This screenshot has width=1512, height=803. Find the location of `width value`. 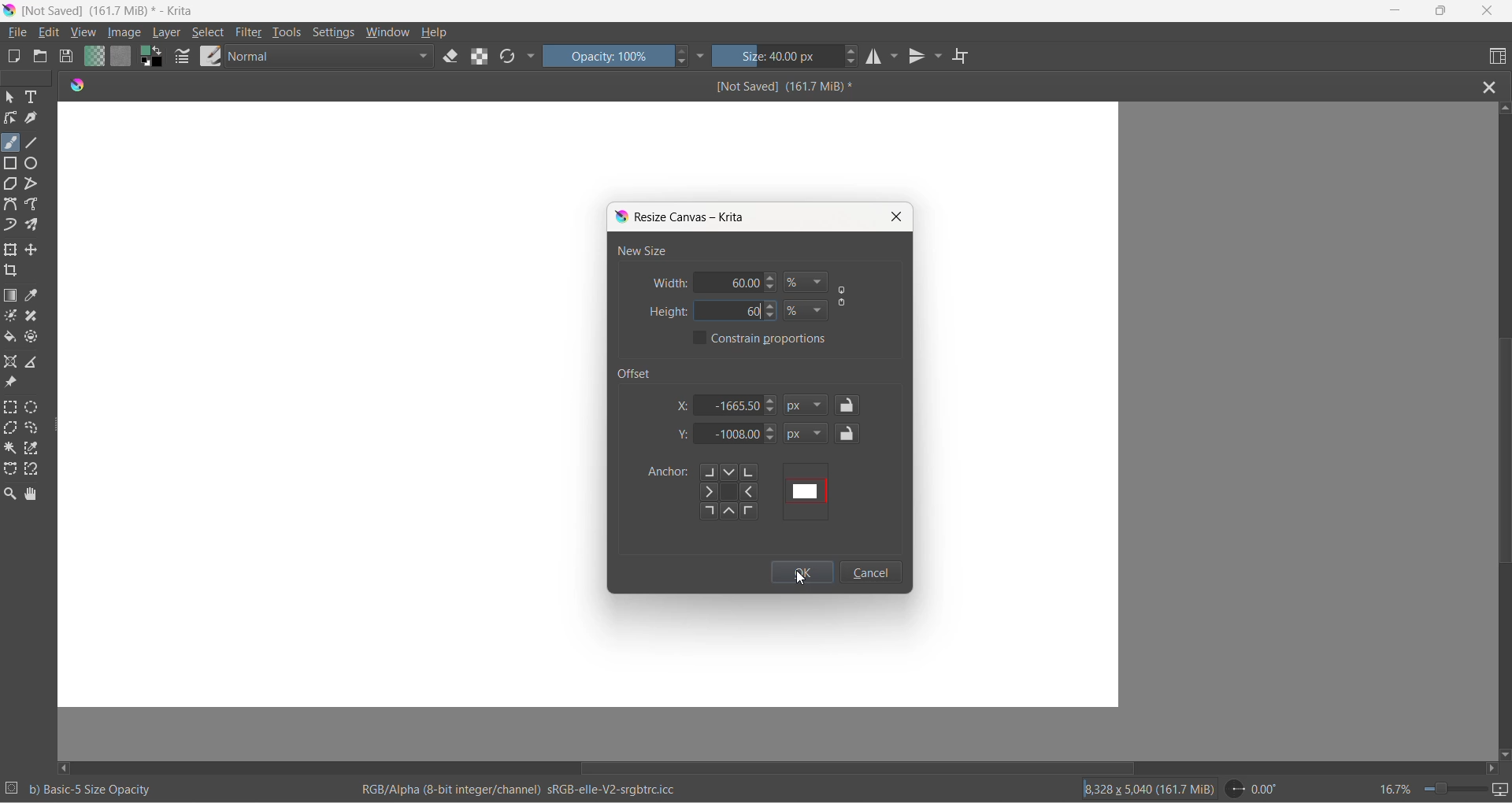

width value is located at coordinates (754, 282).